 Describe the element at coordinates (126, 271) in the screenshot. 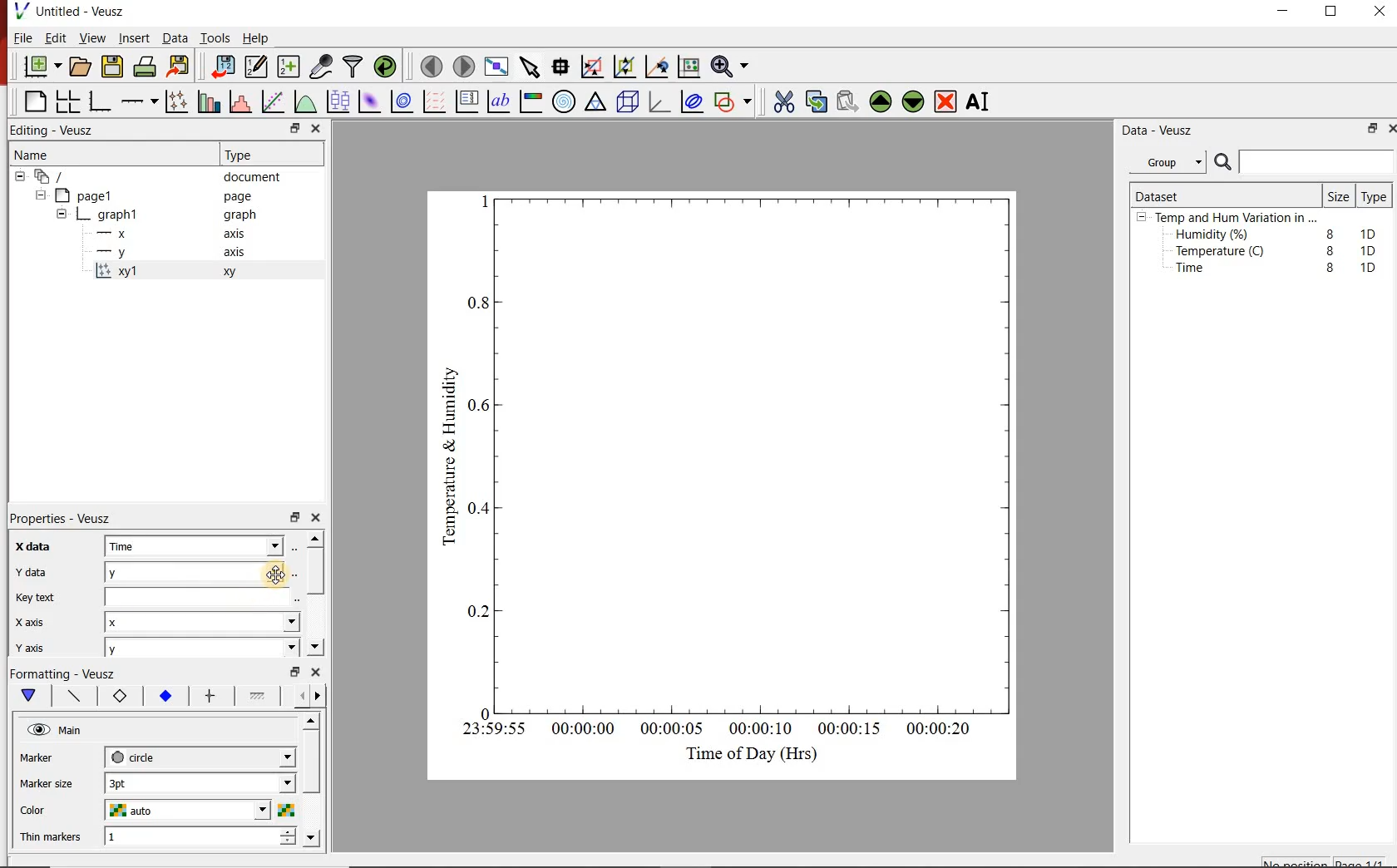

I see `xy1` at that location.